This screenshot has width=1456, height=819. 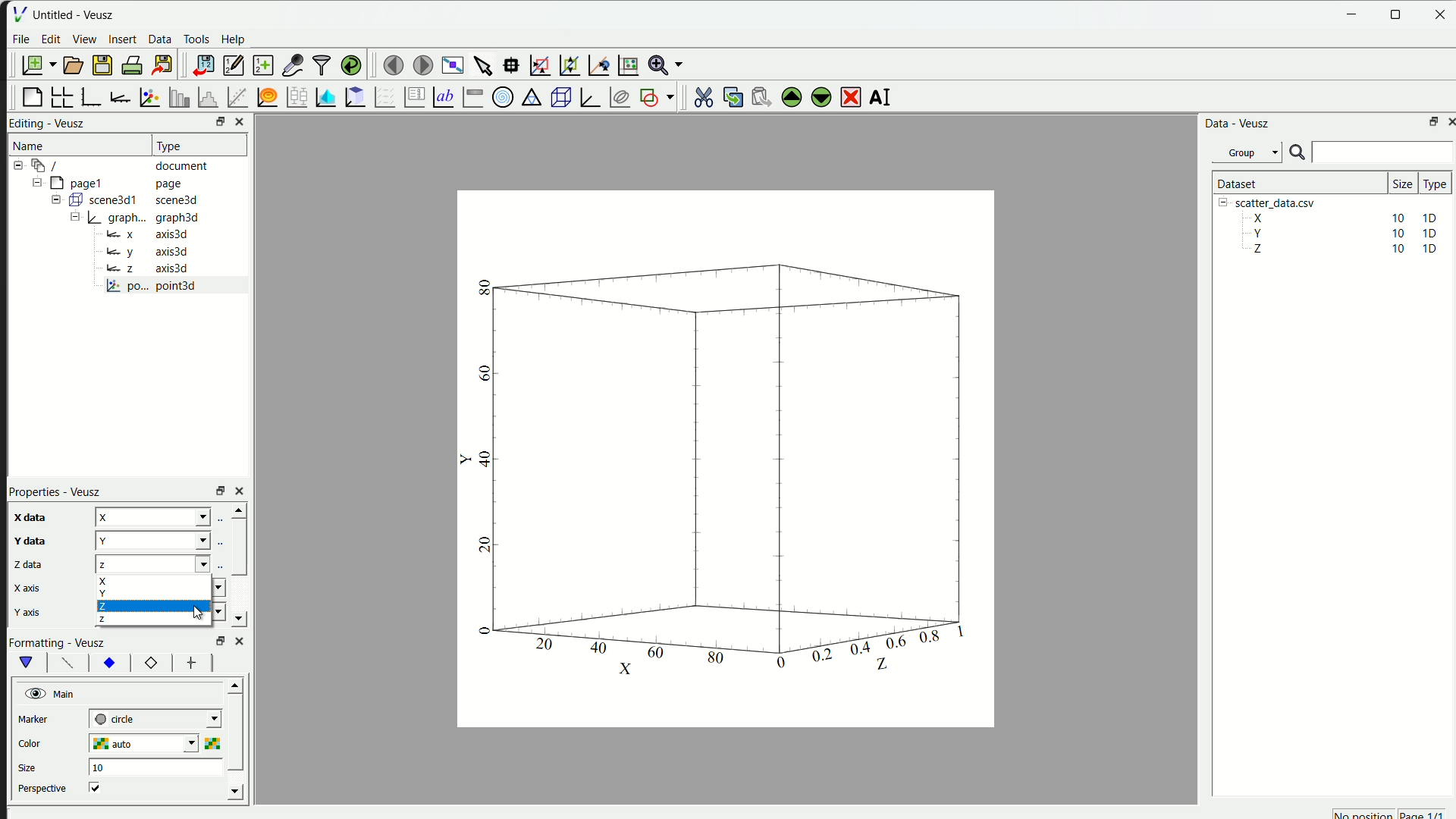 What do you see at coordinates (200, 615) in the screenshot?
I see `cursor` at bounding box center [200, 615].